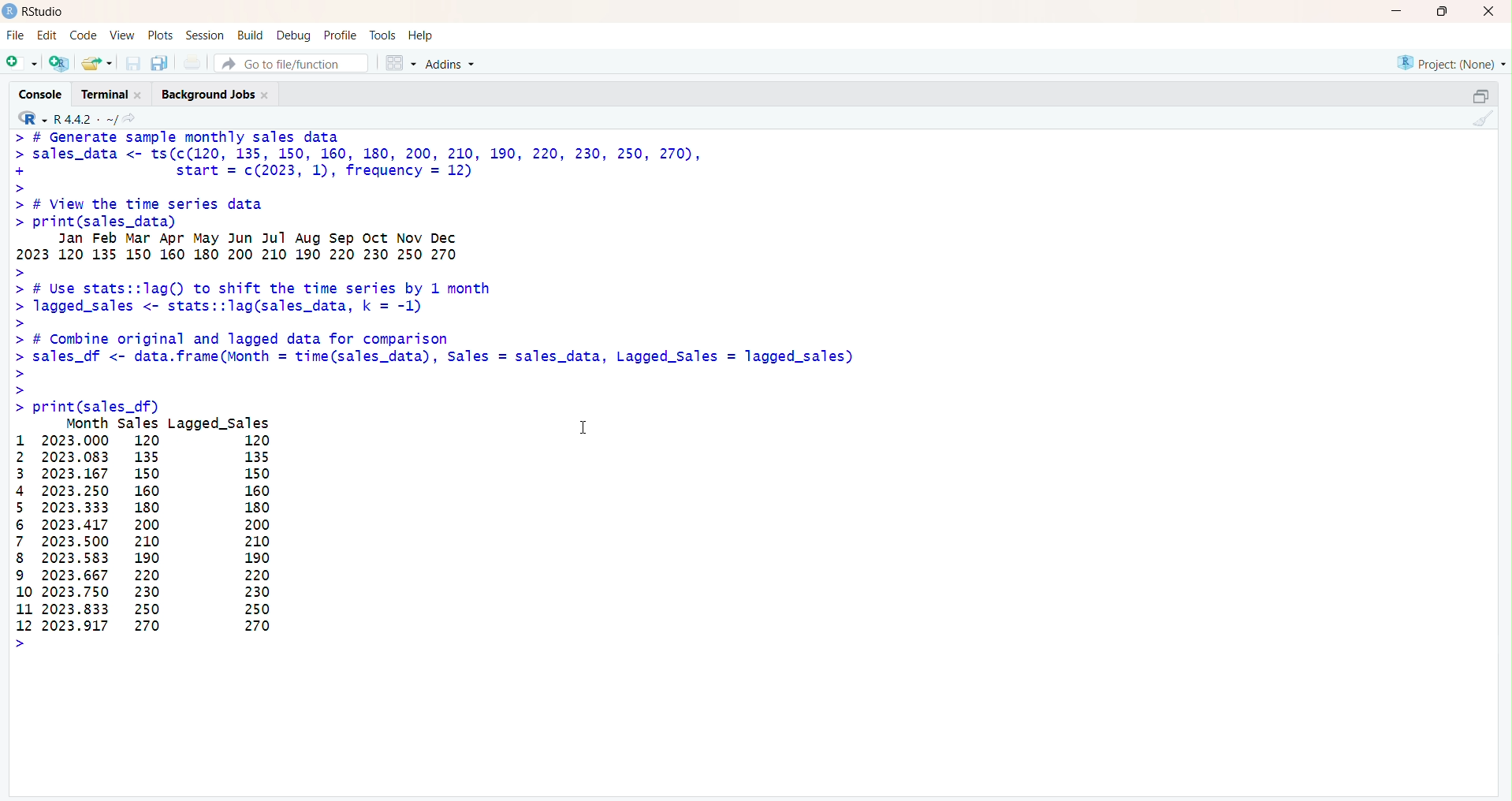 Image resolution: width=1512 pixels, height=801 pixels. What do you see at coordinates (162, 35) in the screenshot?
I see `plots` at bounding box center [162, 35].